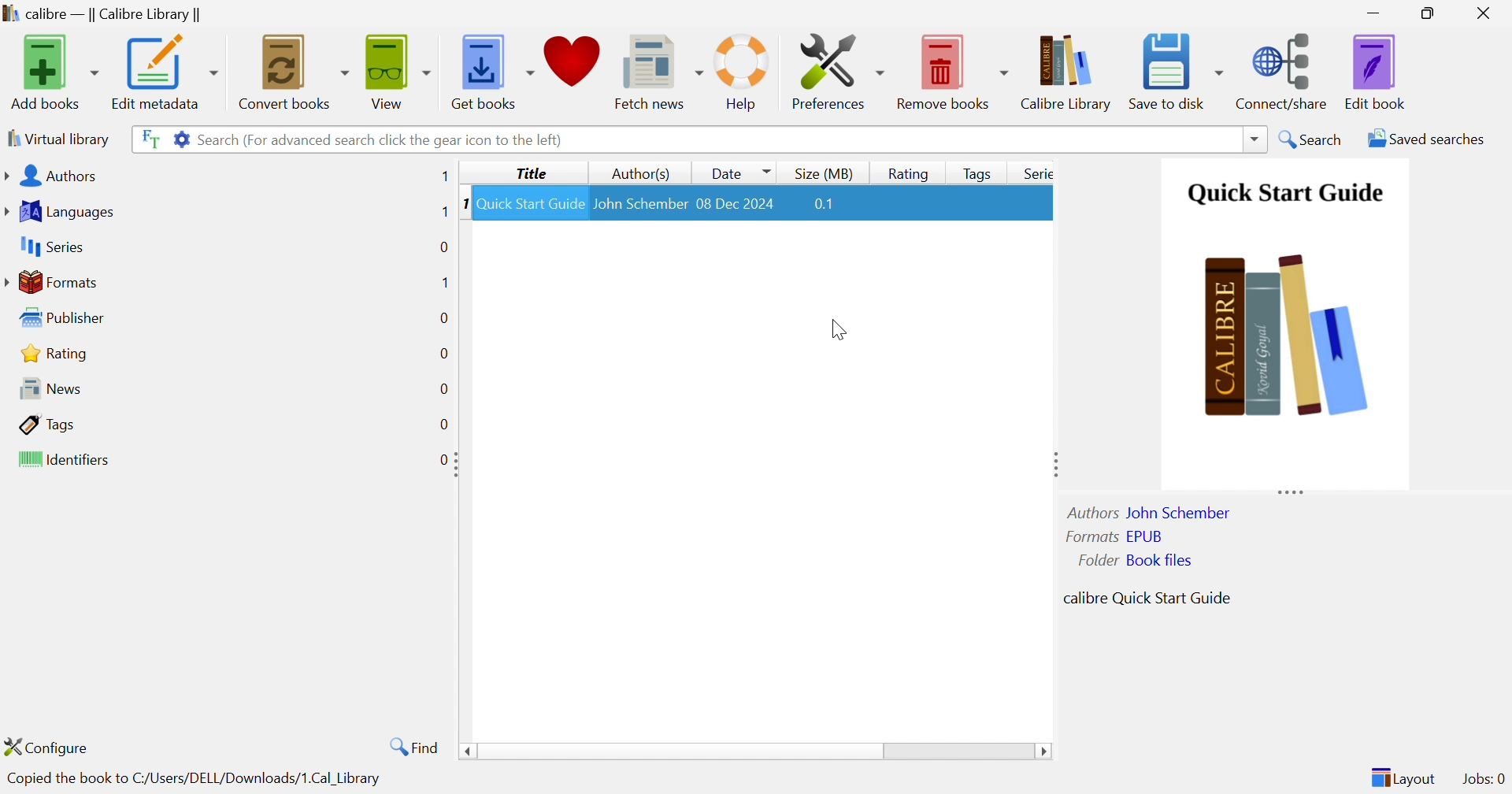  What do you see at coordinates (1429, 12) in the screenshot?
I see `Restore Down` at bounding box center [1429, 12].